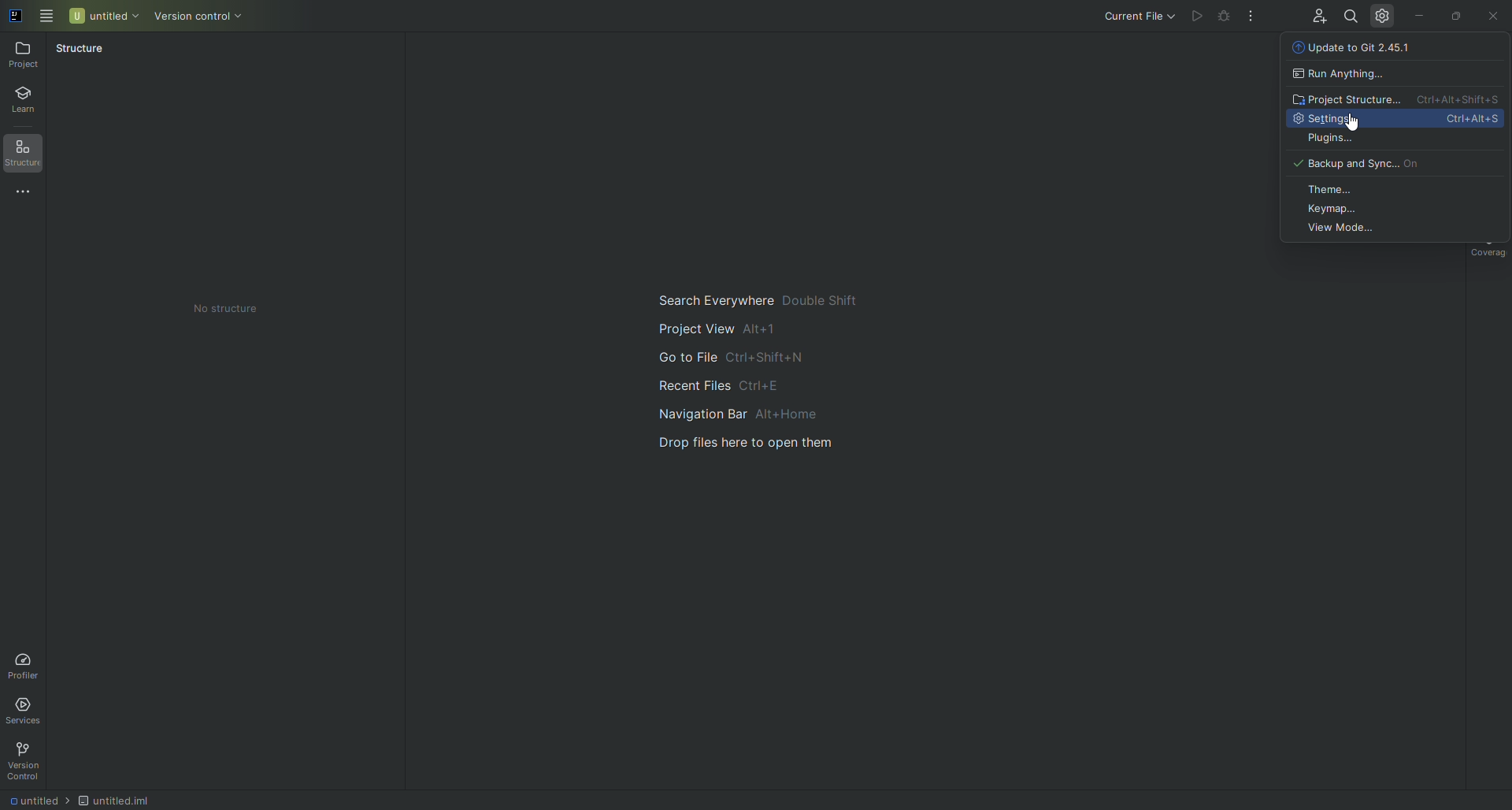  What do you see at coordinates (1470, 119) in the screenshot?
I see `Ctri+Alt+S` at bounding box center [1470, 119].